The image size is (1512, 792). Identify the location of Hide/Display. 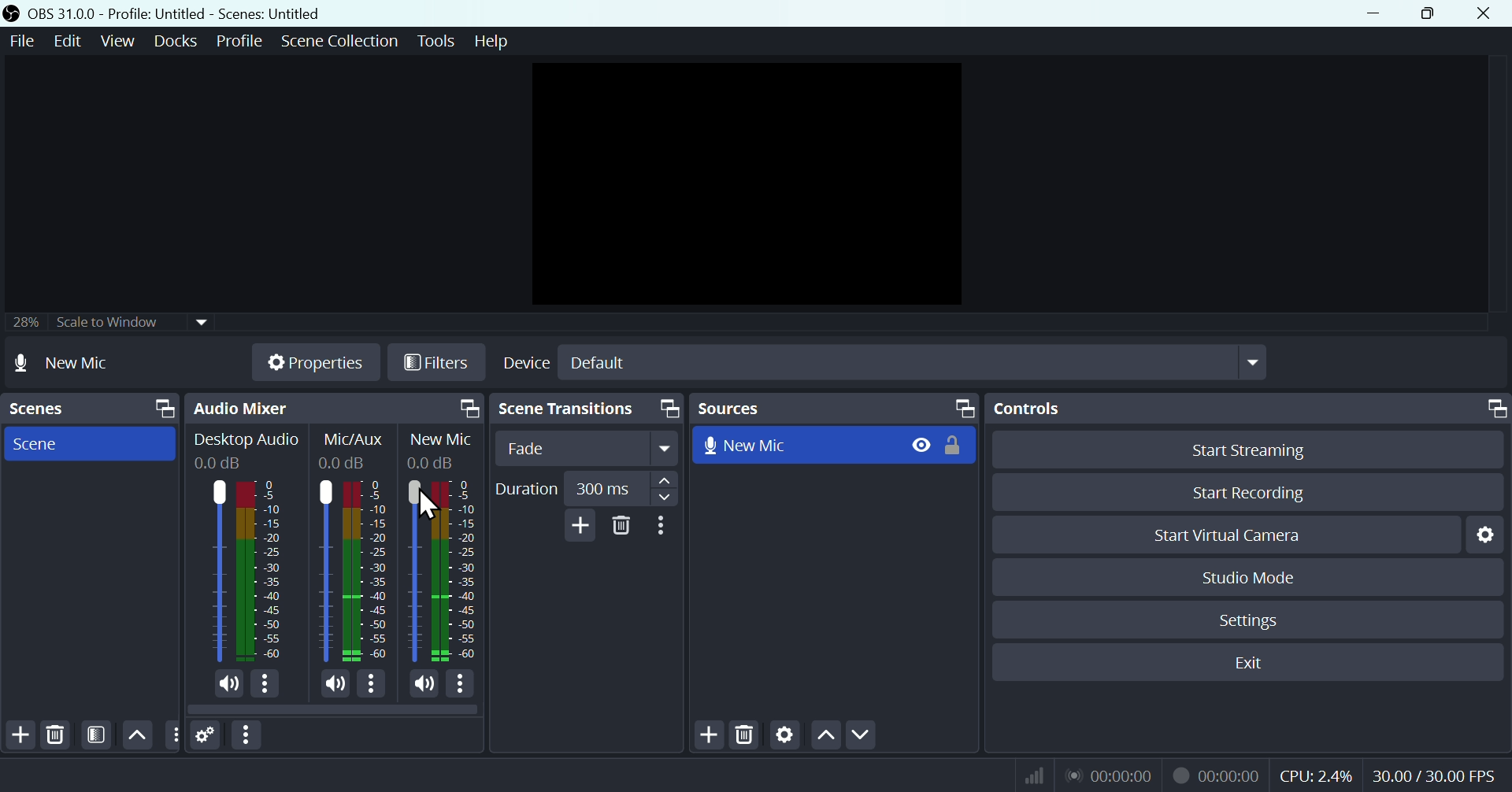
(920, 444).